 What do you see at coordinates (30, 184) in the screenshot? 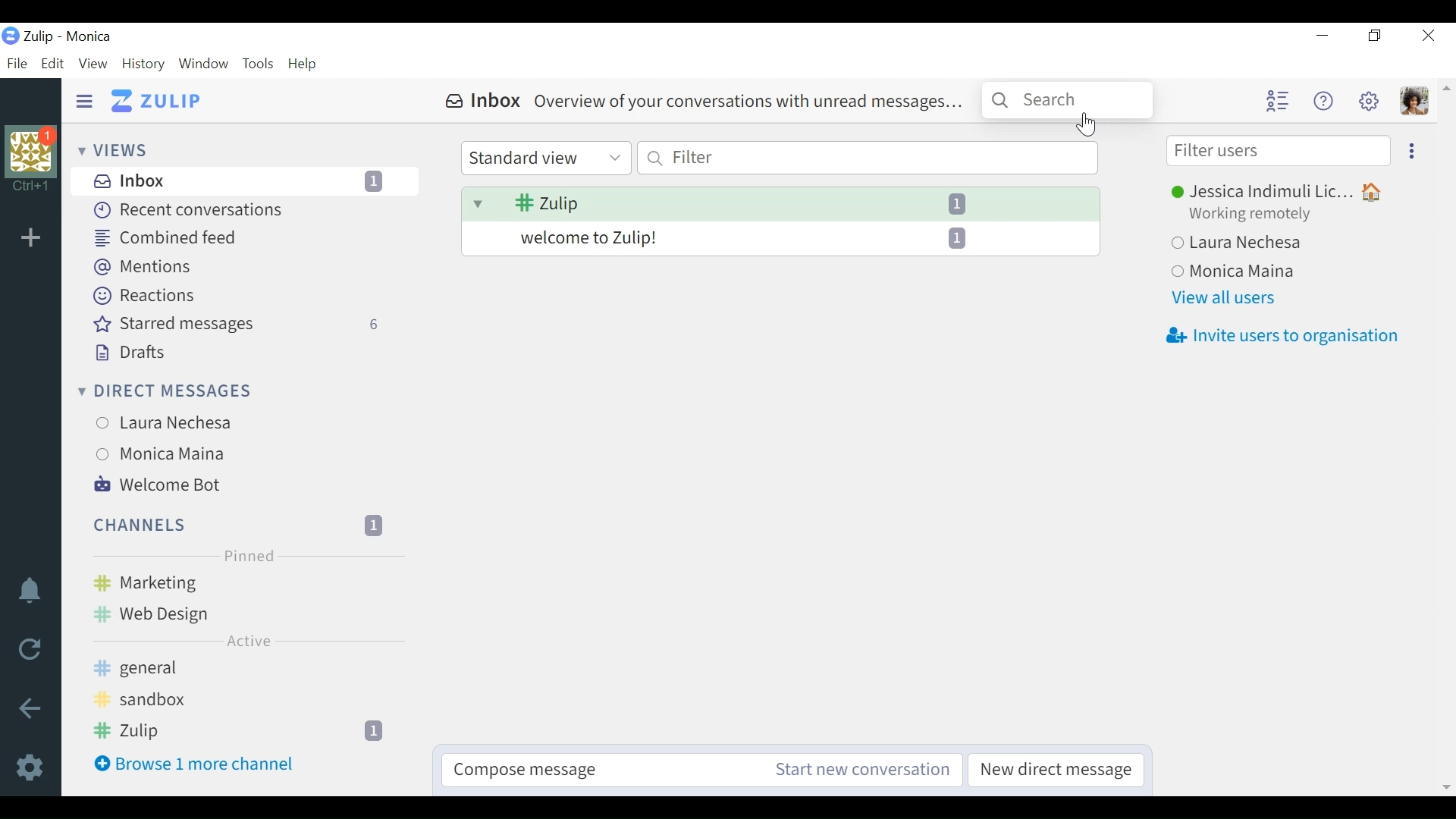
I see `shortcut information` at bounding box center [30, 184].